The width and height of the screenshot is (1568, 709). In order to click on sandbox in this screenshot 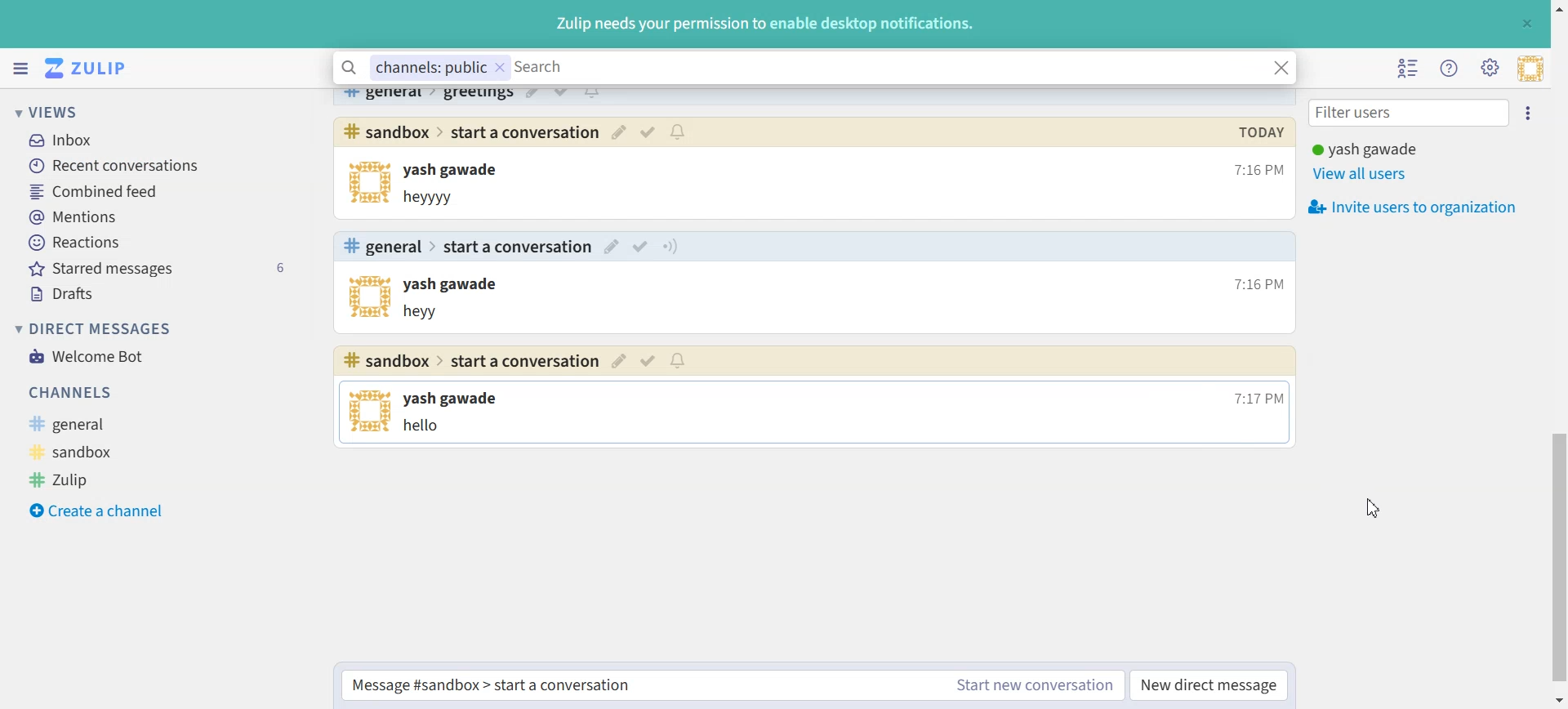, I will do `click(94, 450)`.